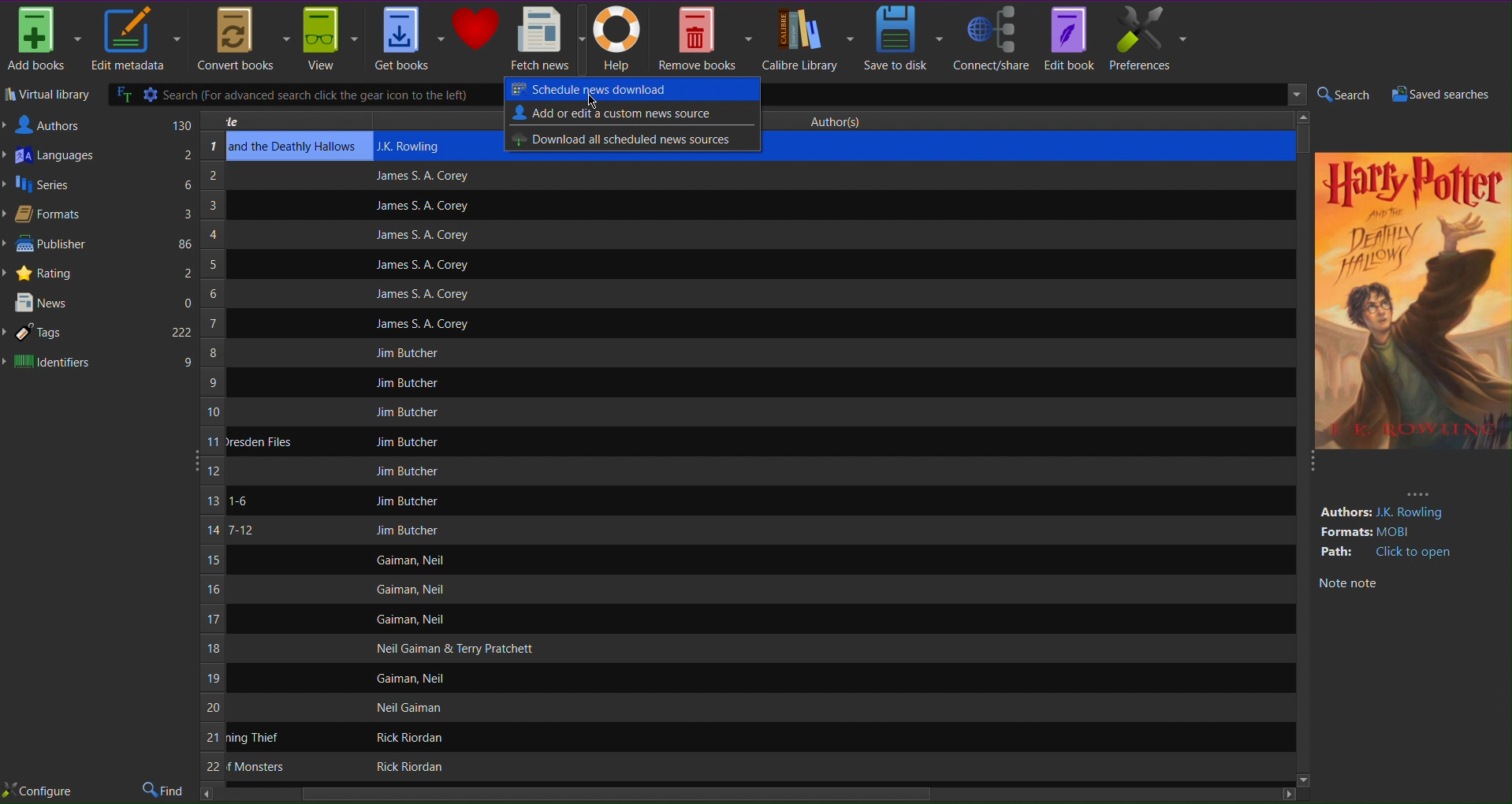 Image resolution: width=1512 pixels, height=804 pixels. Describe the element at coordinates (1401, 532) in the screenshot. I see ` MOBI` at that location.